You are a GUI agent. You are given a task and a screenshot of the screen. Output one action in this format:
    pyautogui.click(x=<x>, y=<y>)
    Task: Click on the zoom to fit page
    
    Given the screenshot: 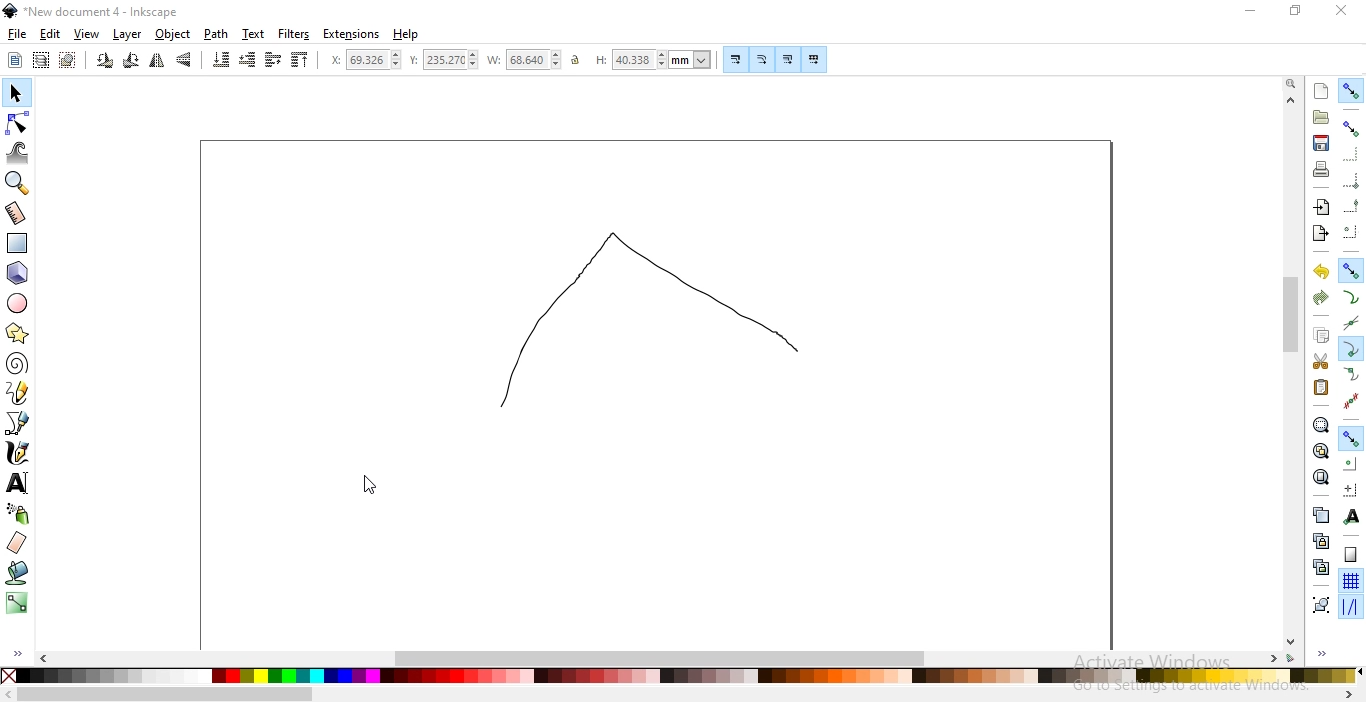 What is the action you would take?
    pyautogui.click(x=1320, y=477)
    